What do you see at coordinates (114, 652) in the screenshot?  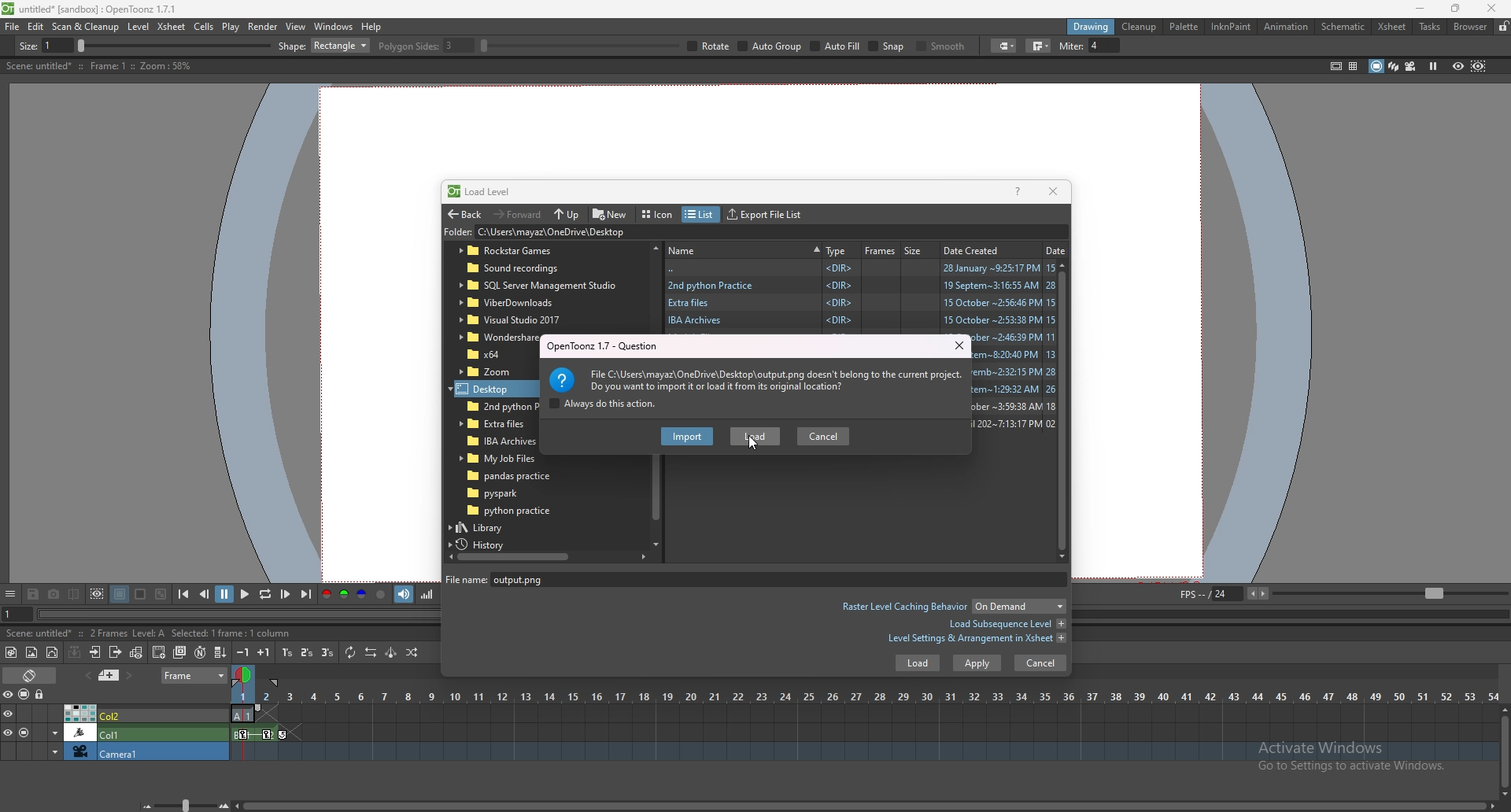 I see `close x subsheet` at bounding box center [114, 652].